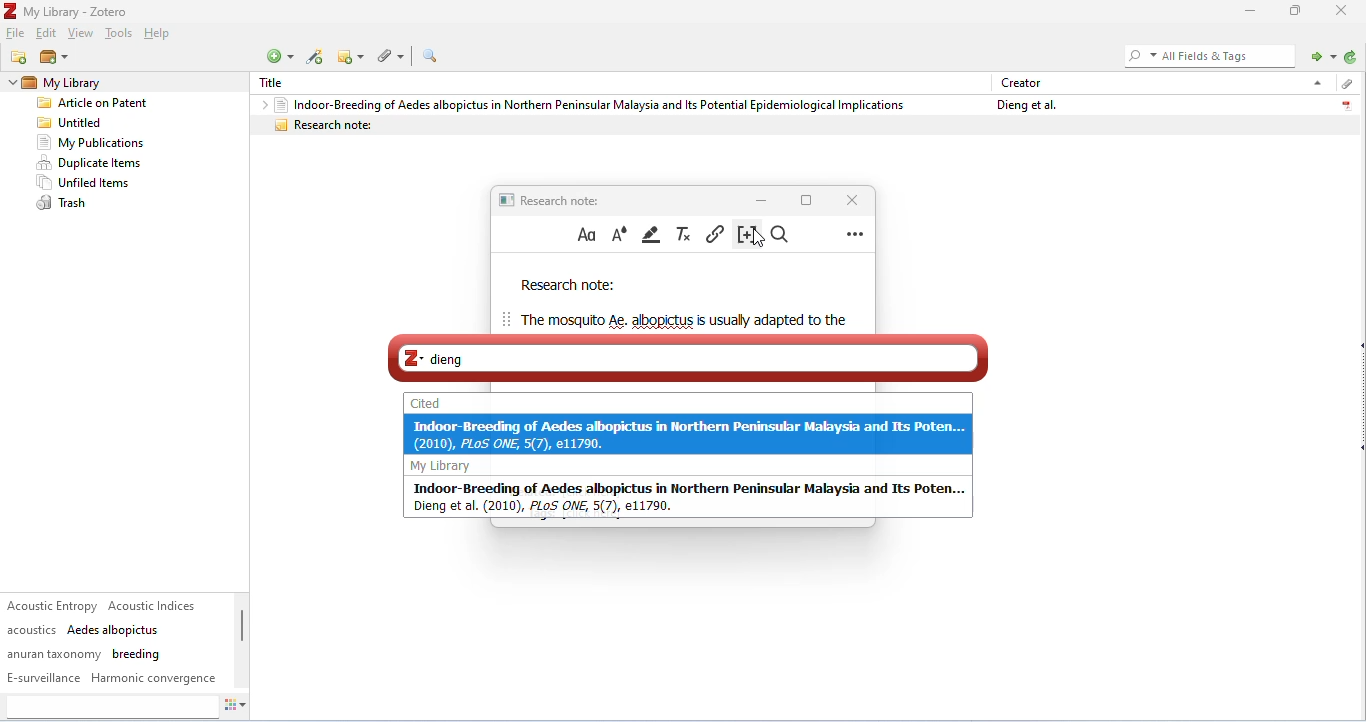 The image size is (1366, 722). I want to click on locate, so click(1320, 55).